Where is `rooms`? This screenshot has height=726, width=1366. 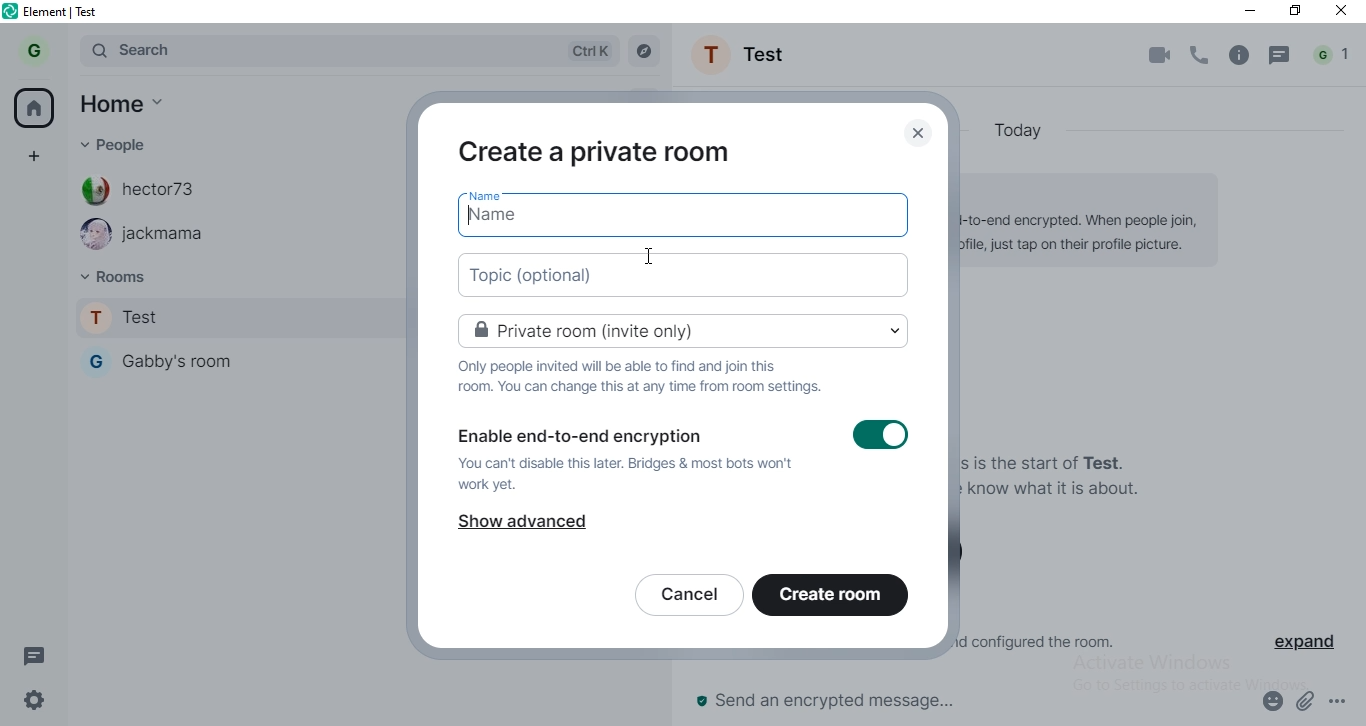
rooms is located at coordinates (133, 275).